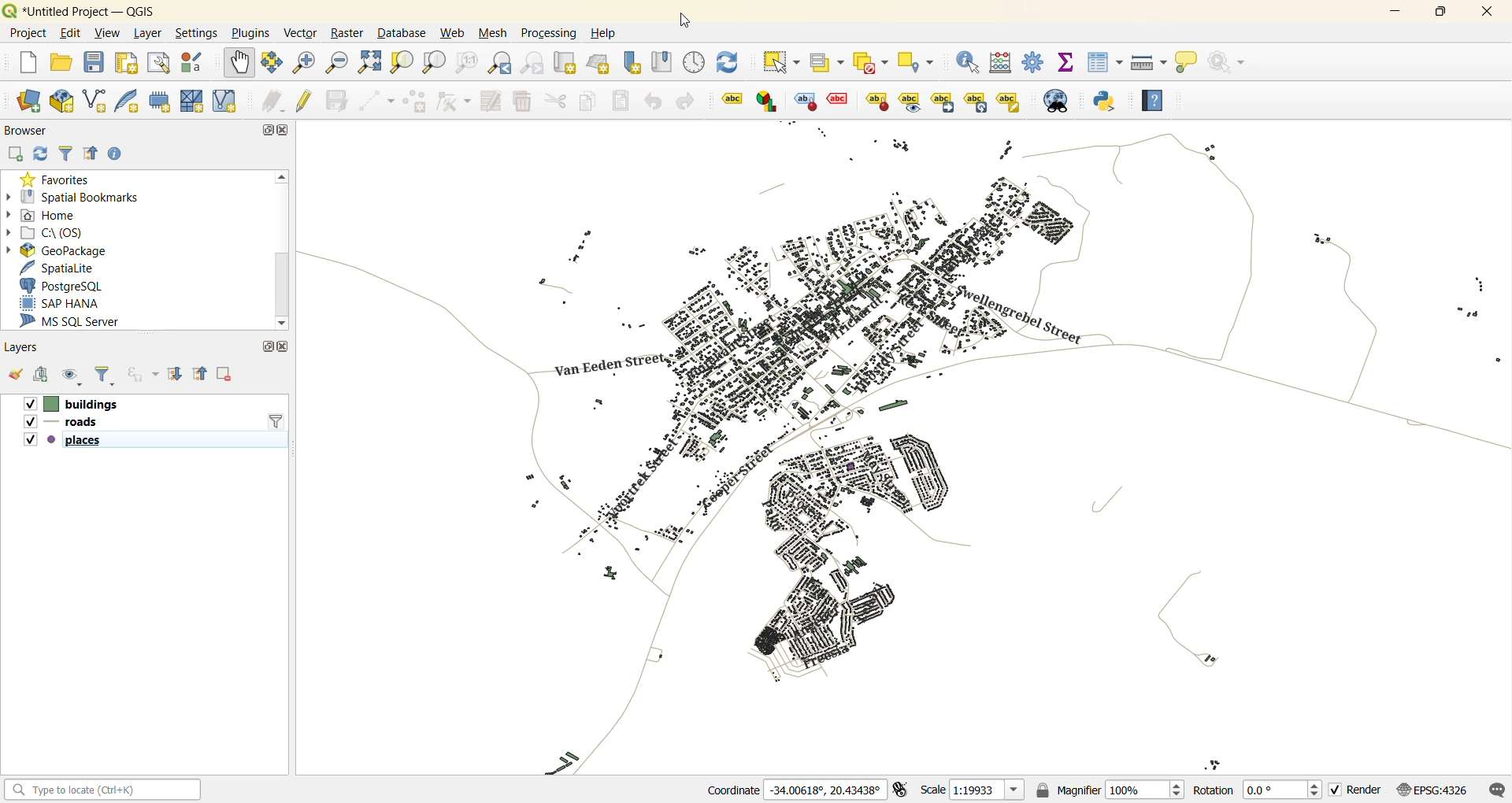 The width and height of the screenshot is (1512, 803). I want to click on project, so click(25, 31).